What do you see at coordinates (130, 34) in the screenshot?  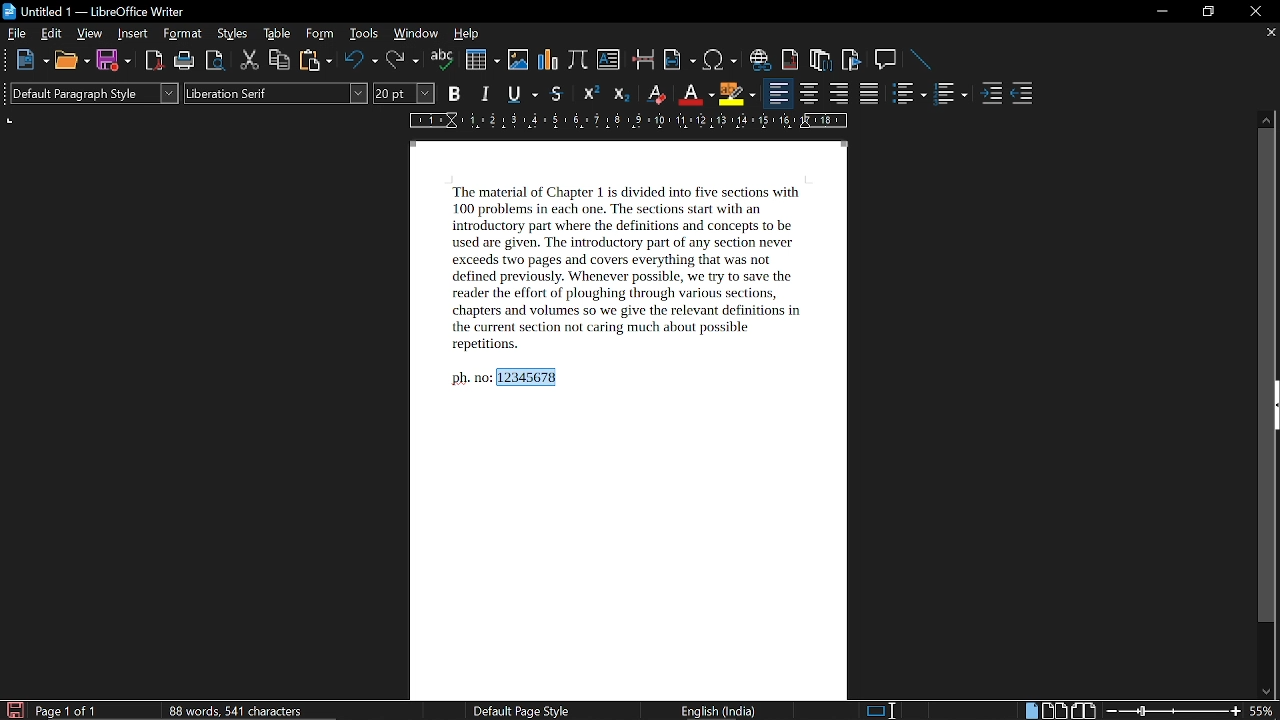 I see `insert` at bounding box center [130, 34].